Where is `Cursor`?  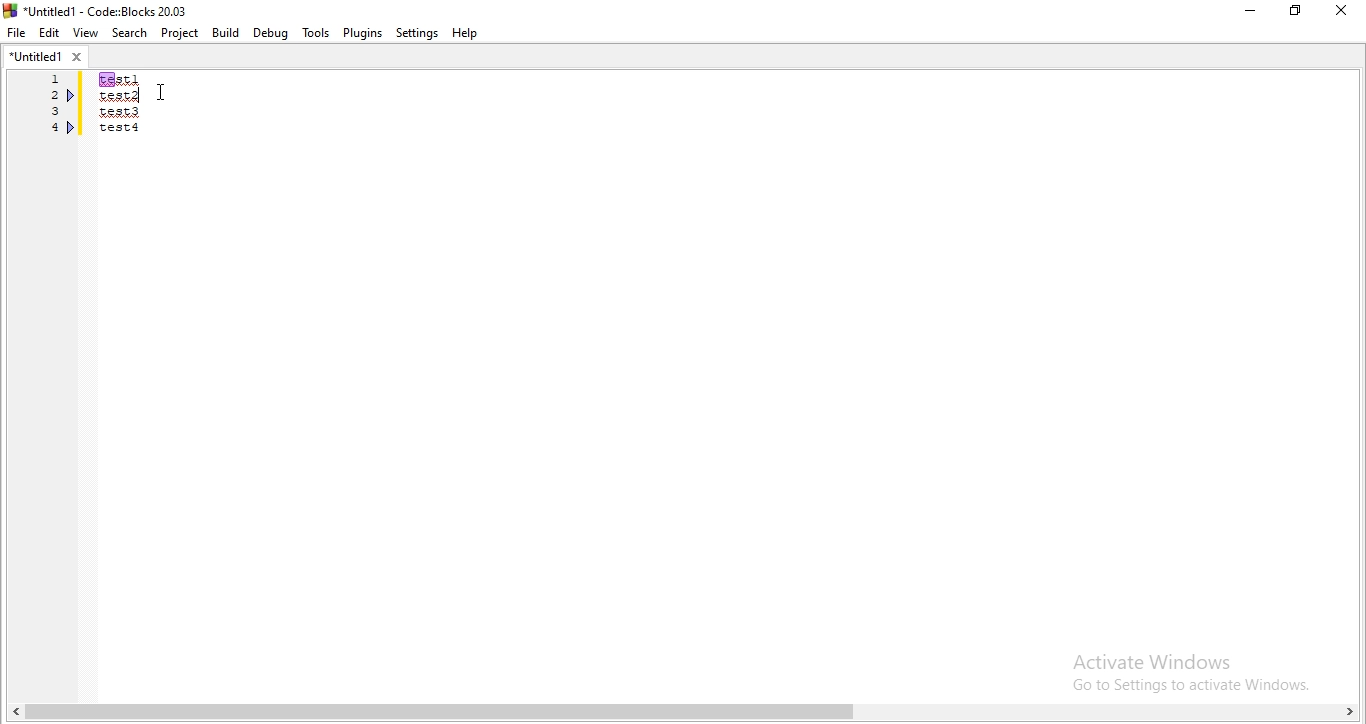 Cursor is located at coordinates (163, 89).